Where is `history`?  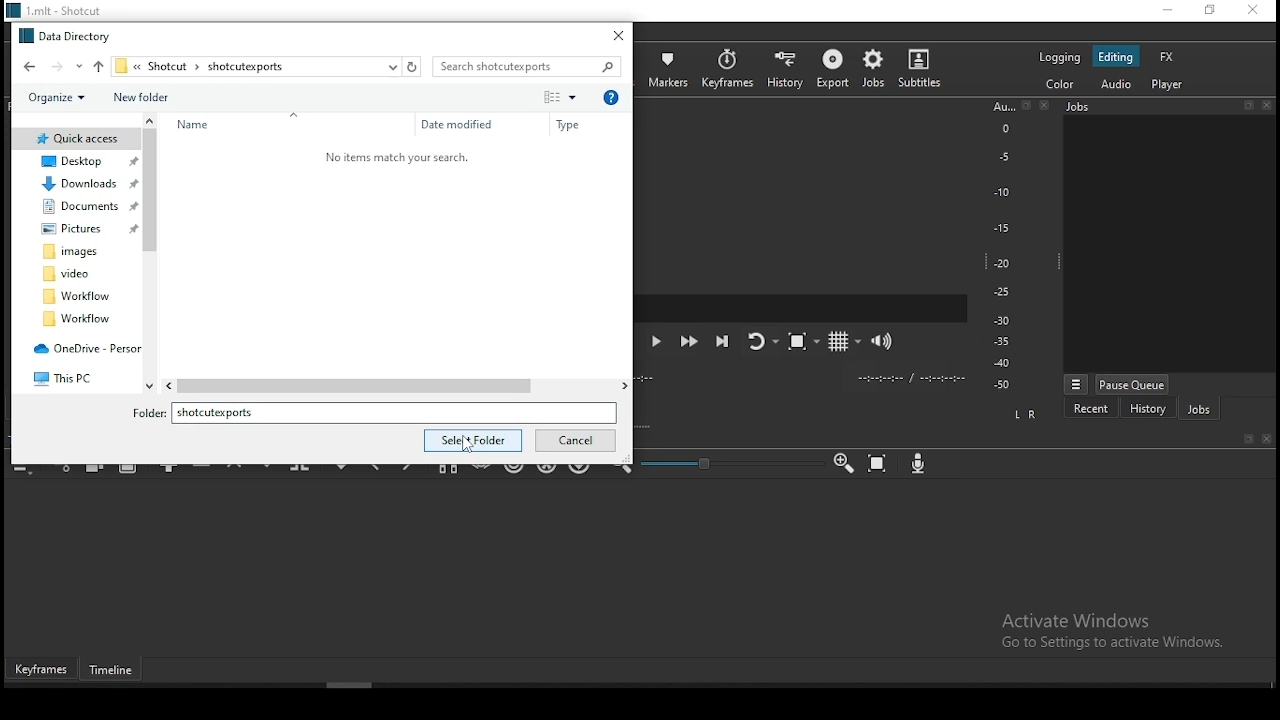
history is located at coordinates (1148, 409).